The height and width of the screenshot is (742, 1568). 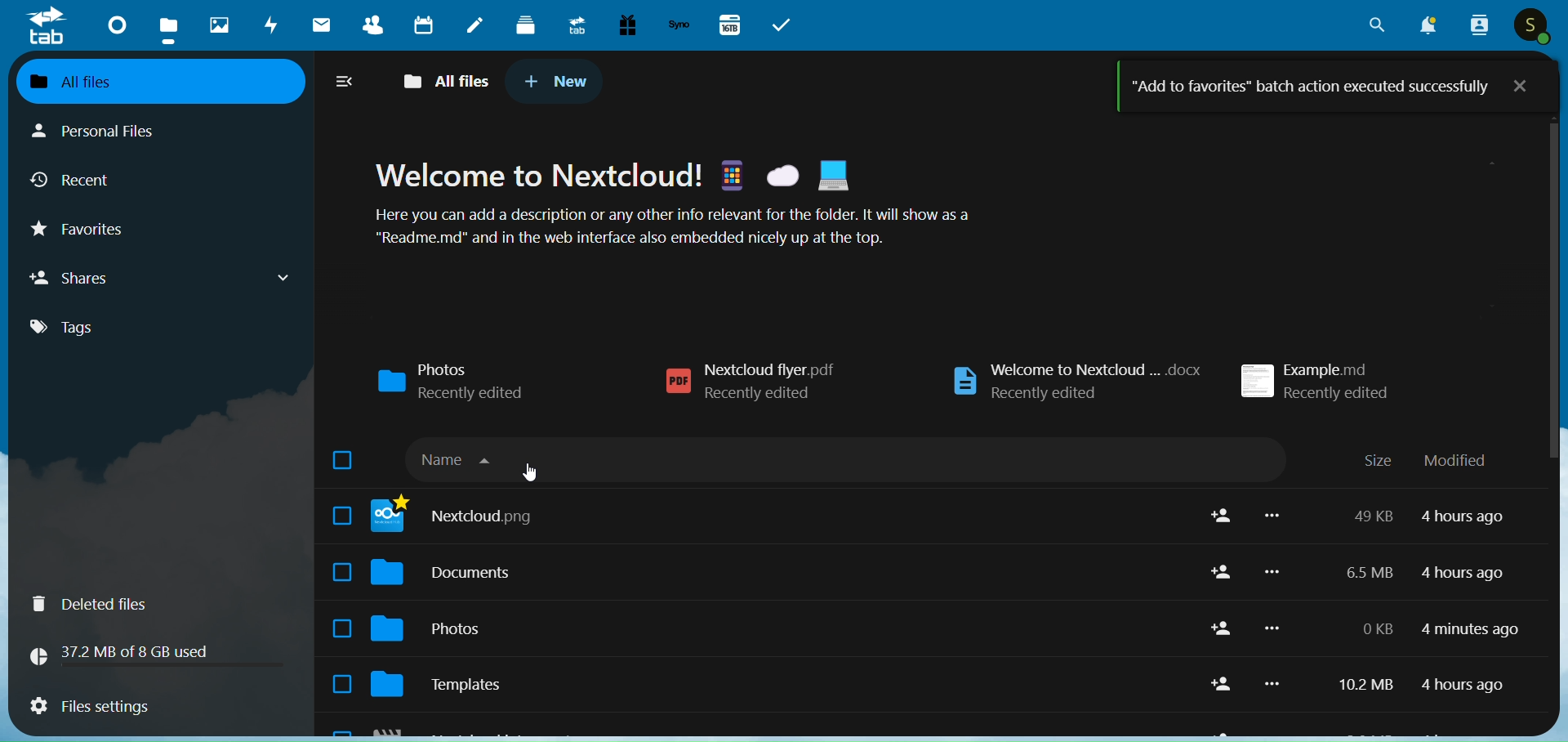 I want to click on Photos, so click(x=779, y=629).